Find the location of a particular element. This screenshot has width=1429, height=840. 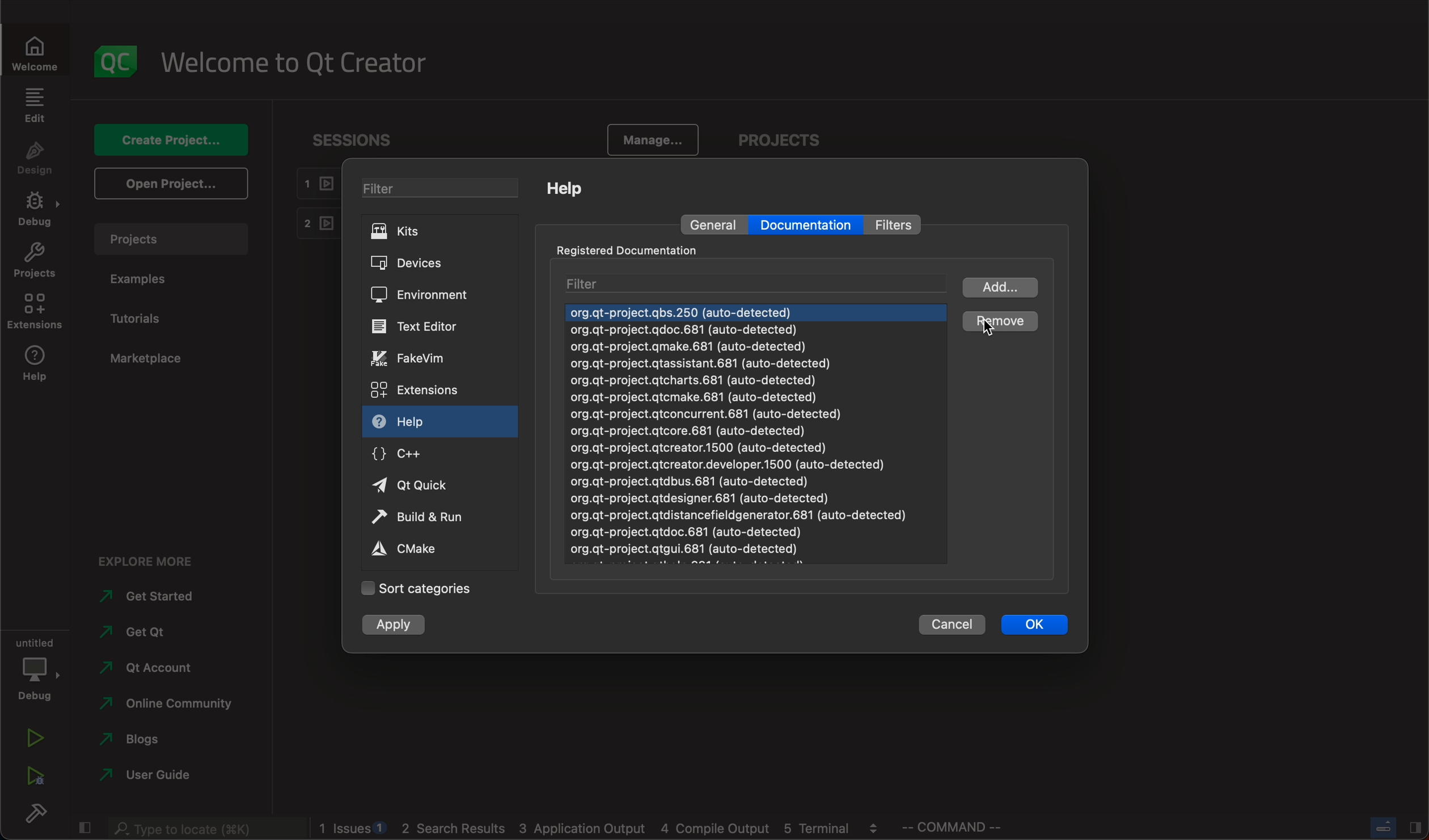

manage is located at coordinates (658, 141).